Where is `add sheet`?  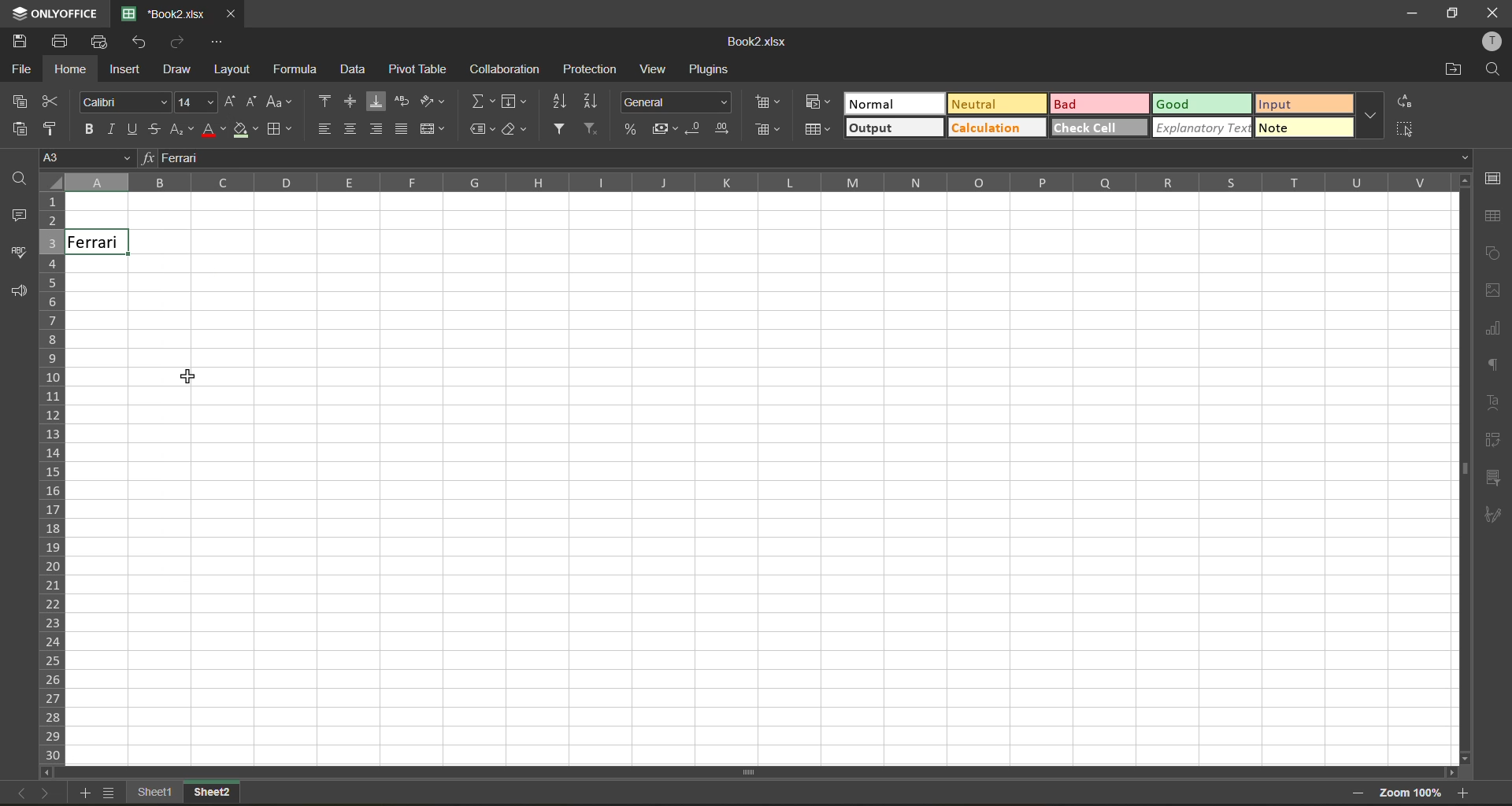 add sheet is located at coordinates (84, 795).